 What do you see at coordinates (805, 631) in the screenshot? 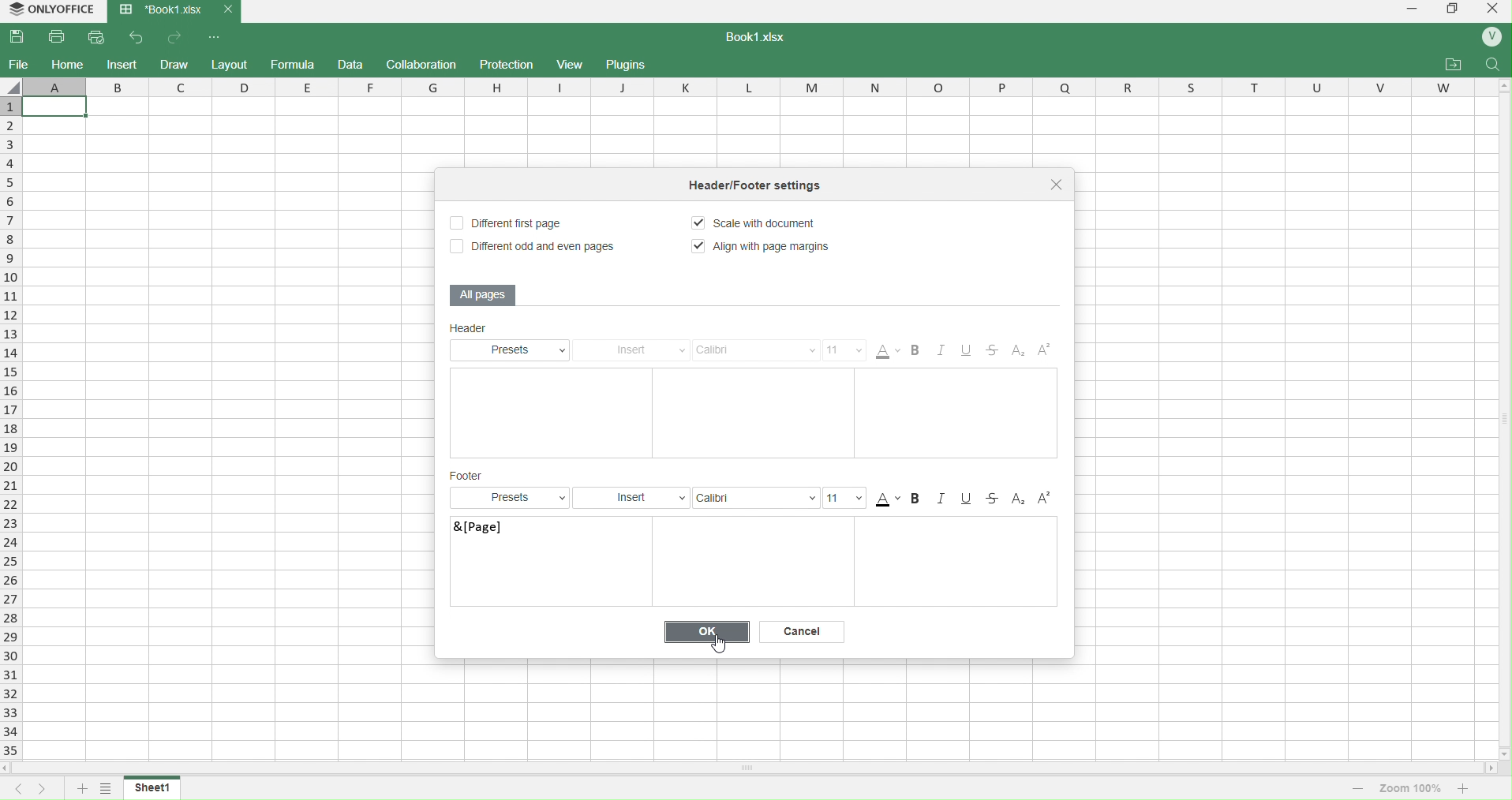
I see `Cancel` at bounding box center [805, 631].